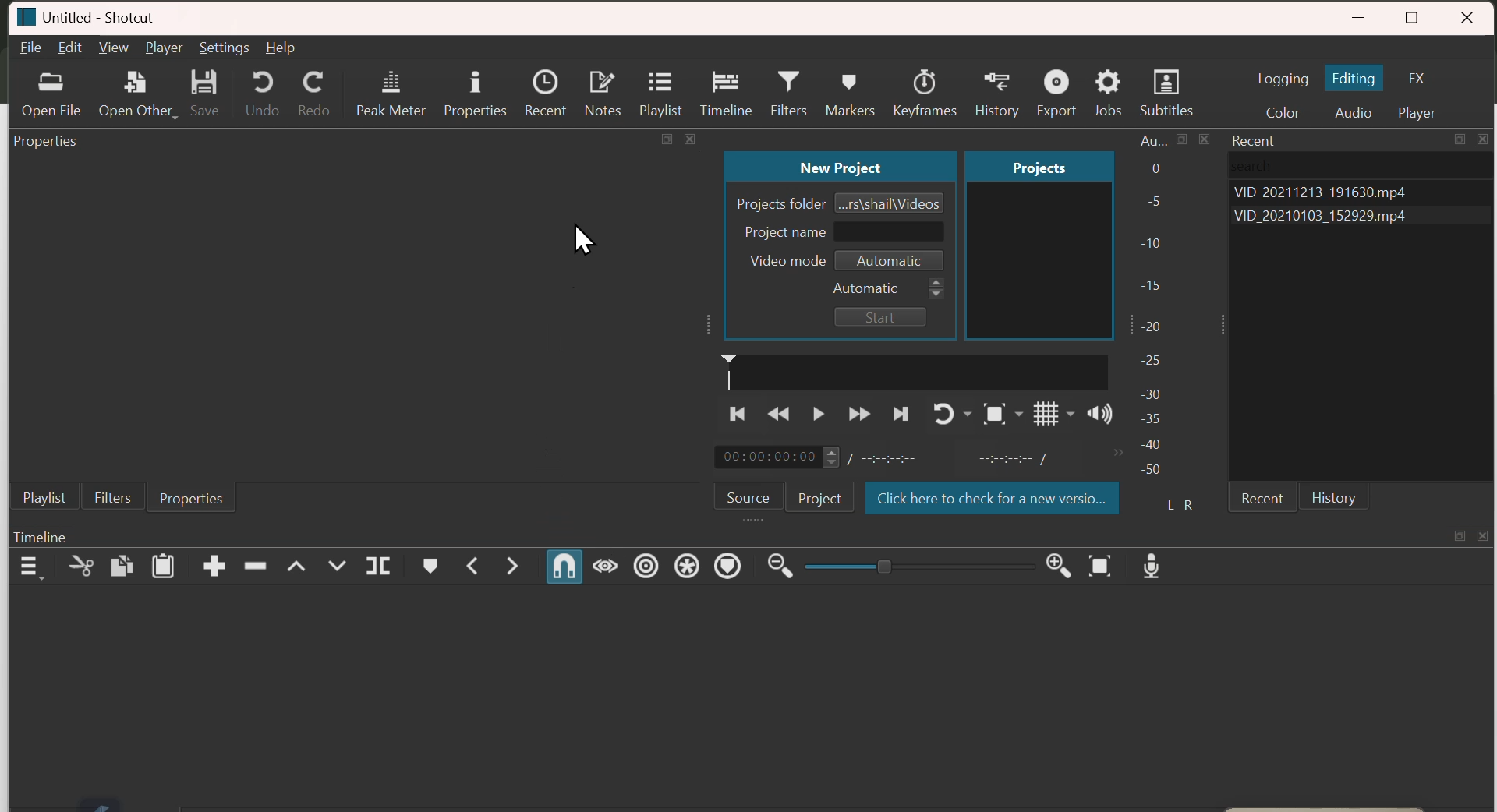 The width and height of the screenshot is (1497, 812). What do you see at coordinates (1166, 85) in the screenshot?
I see `Subtitles` at bounding box center [1166, 85].